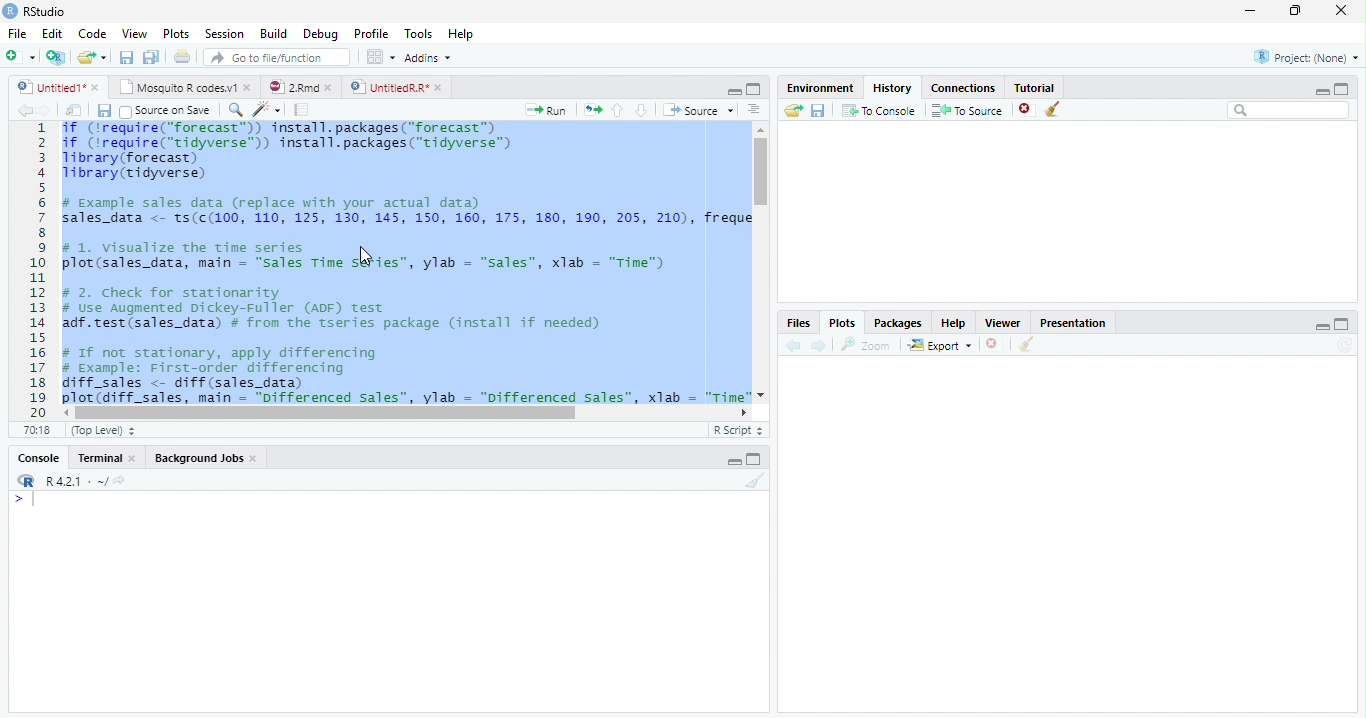 The width and height of the screenshot is (1366, 718). What do you see at coordinates (1289, 111) in the screenshot?
I see `Search` at bounding box center [1289, 111].